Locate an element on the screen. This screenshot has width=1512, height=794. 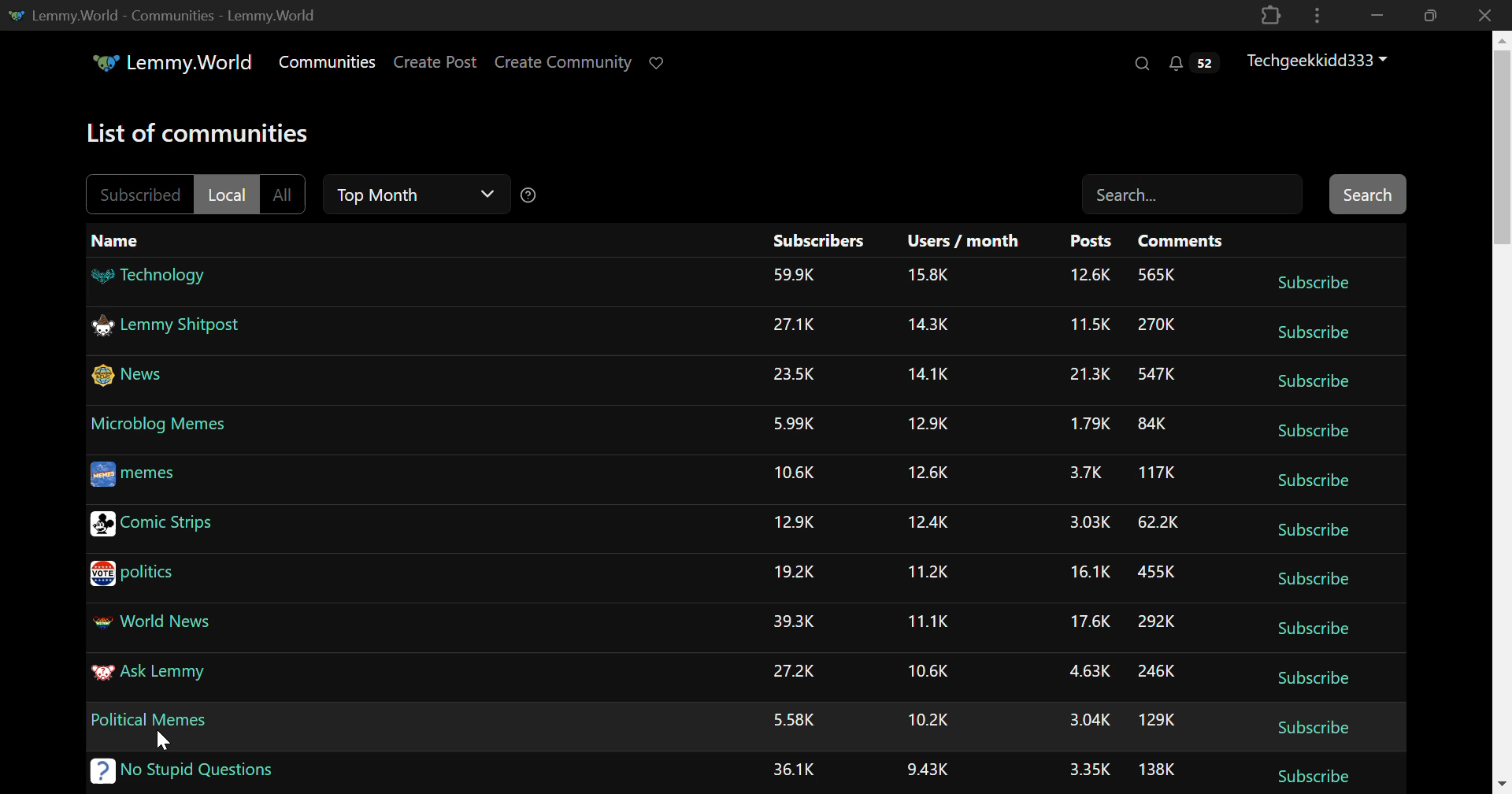
Amount is located at coordinates (797, 722).